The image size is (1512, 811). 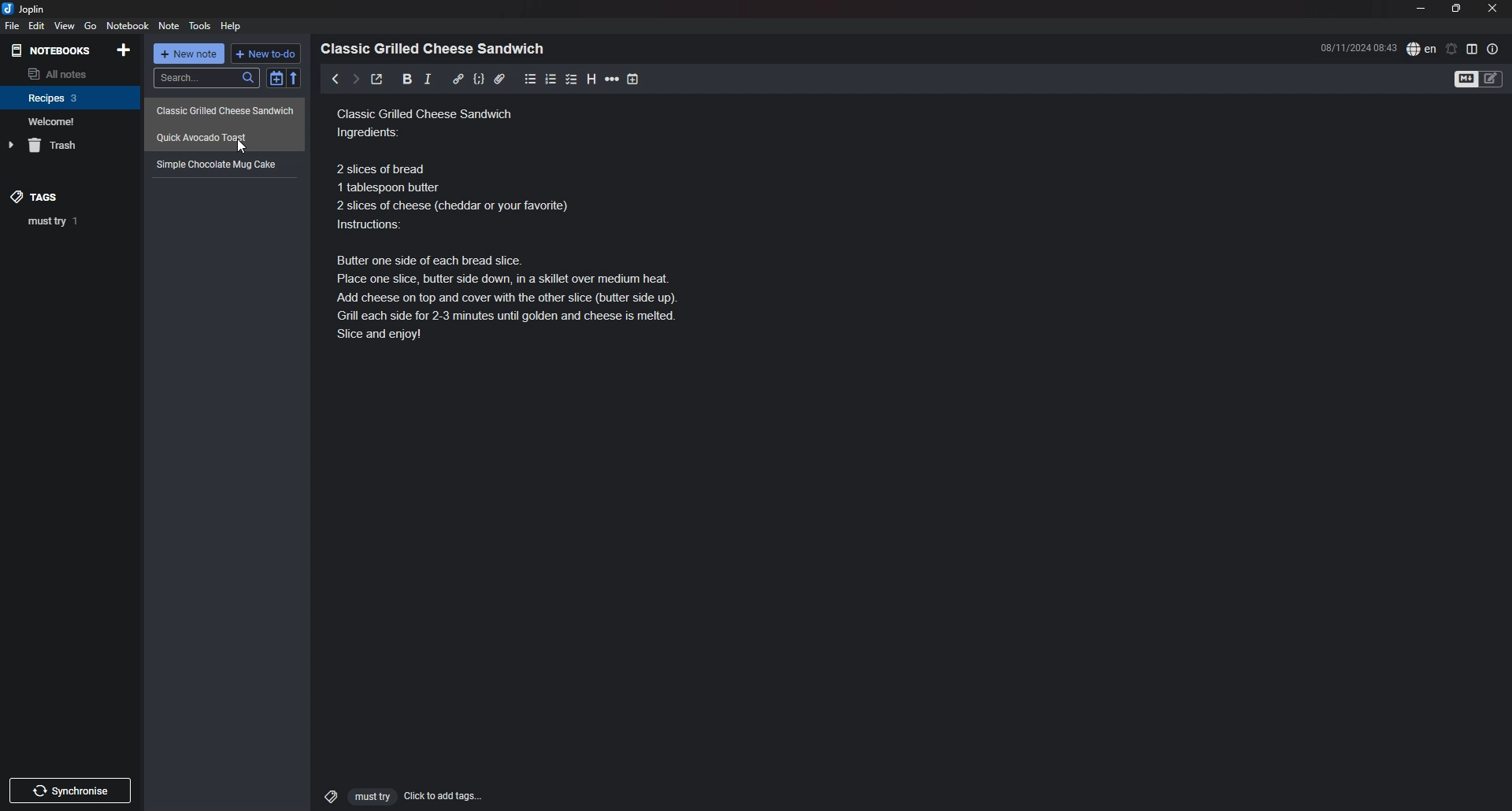 What do you see at coordinates (499, 79) in the screenshot?
I see `attachment` at bounding box center [499, 79].